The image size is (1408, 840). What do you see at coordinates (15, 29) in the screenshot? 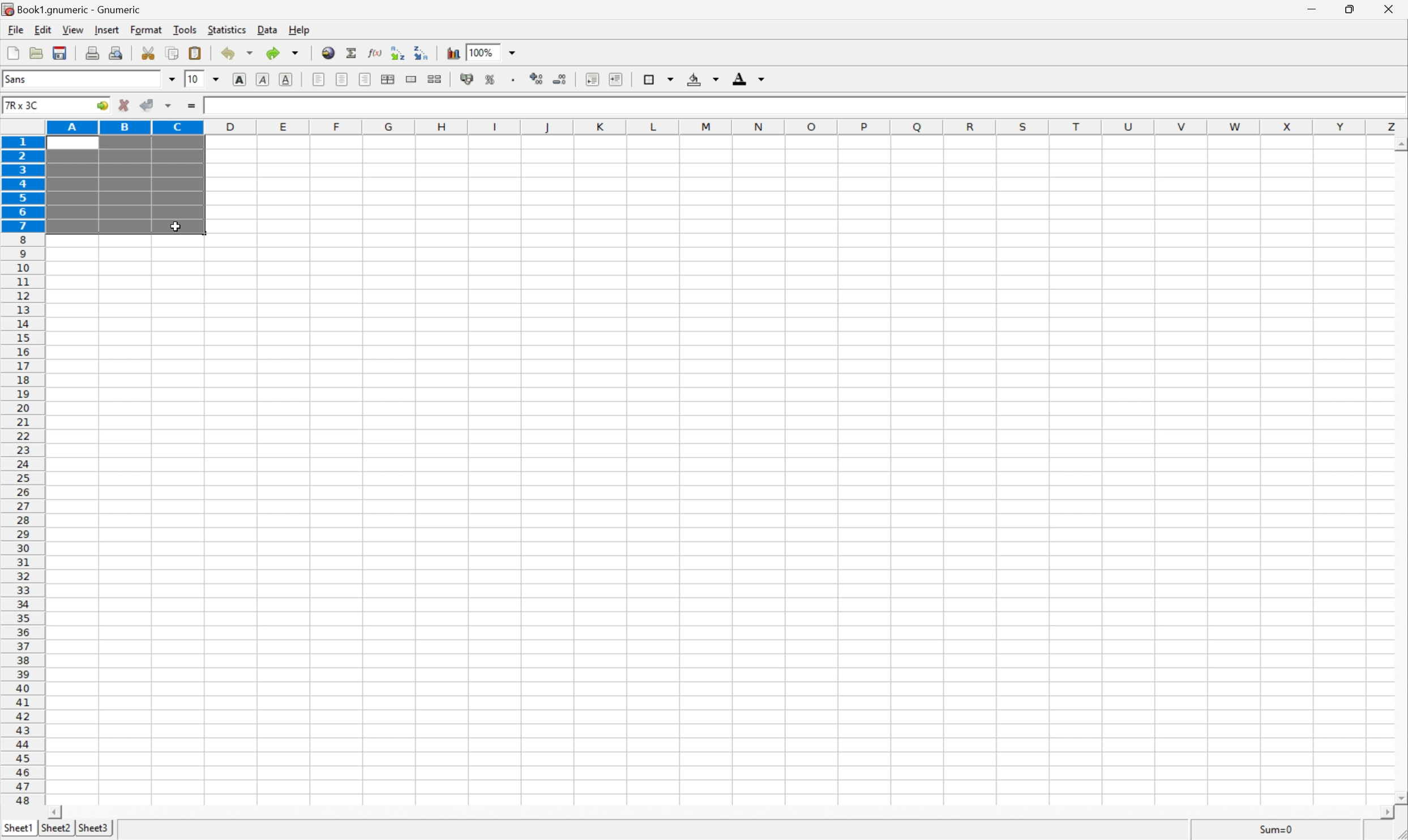
I see `file` at bounding box center [15, 29].